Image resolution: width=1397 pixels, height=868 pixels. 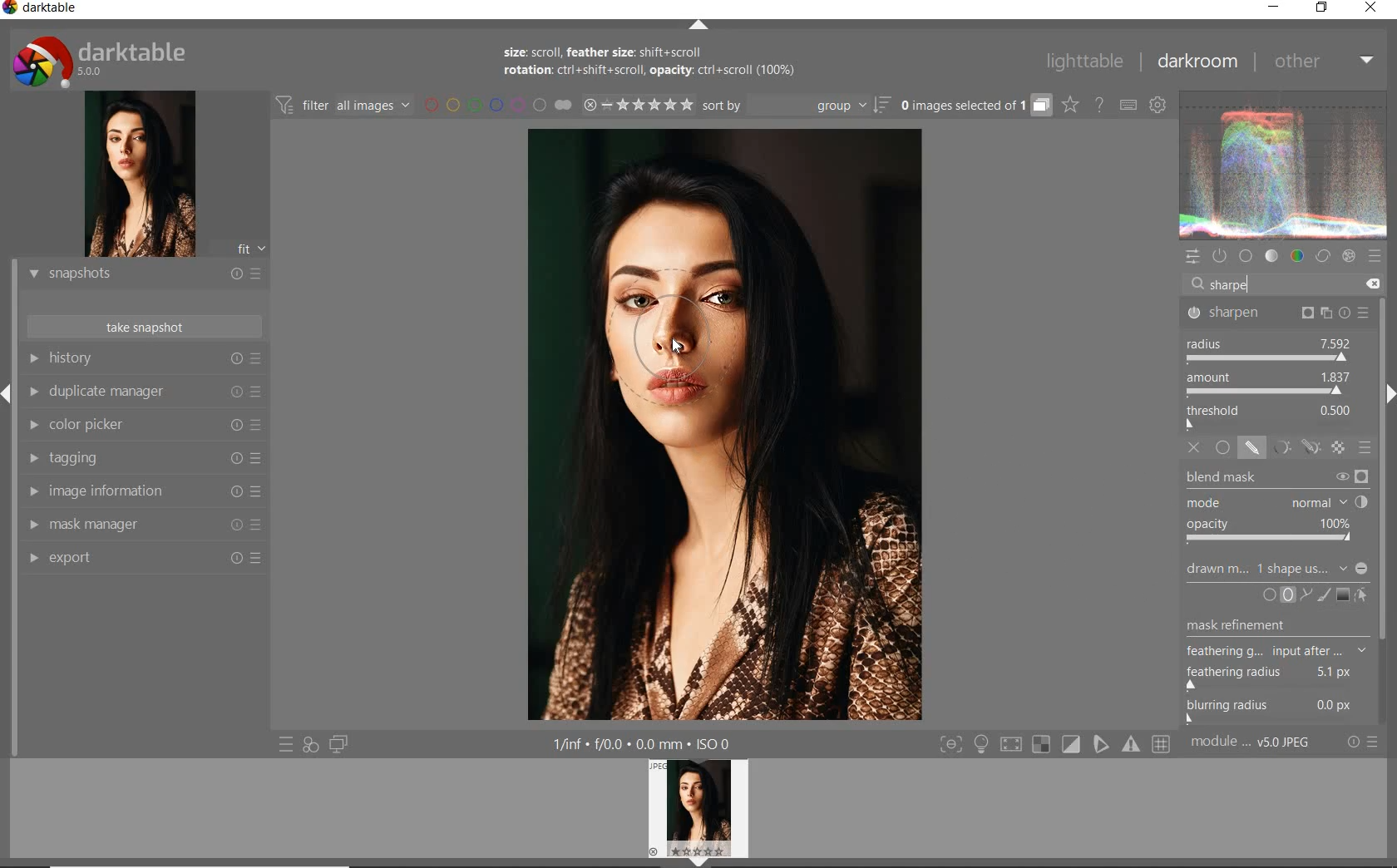 What do you see at coordinates (635, 106) in the screenshot?
I see `range rating of selected images` at bounding box center [635, 106].